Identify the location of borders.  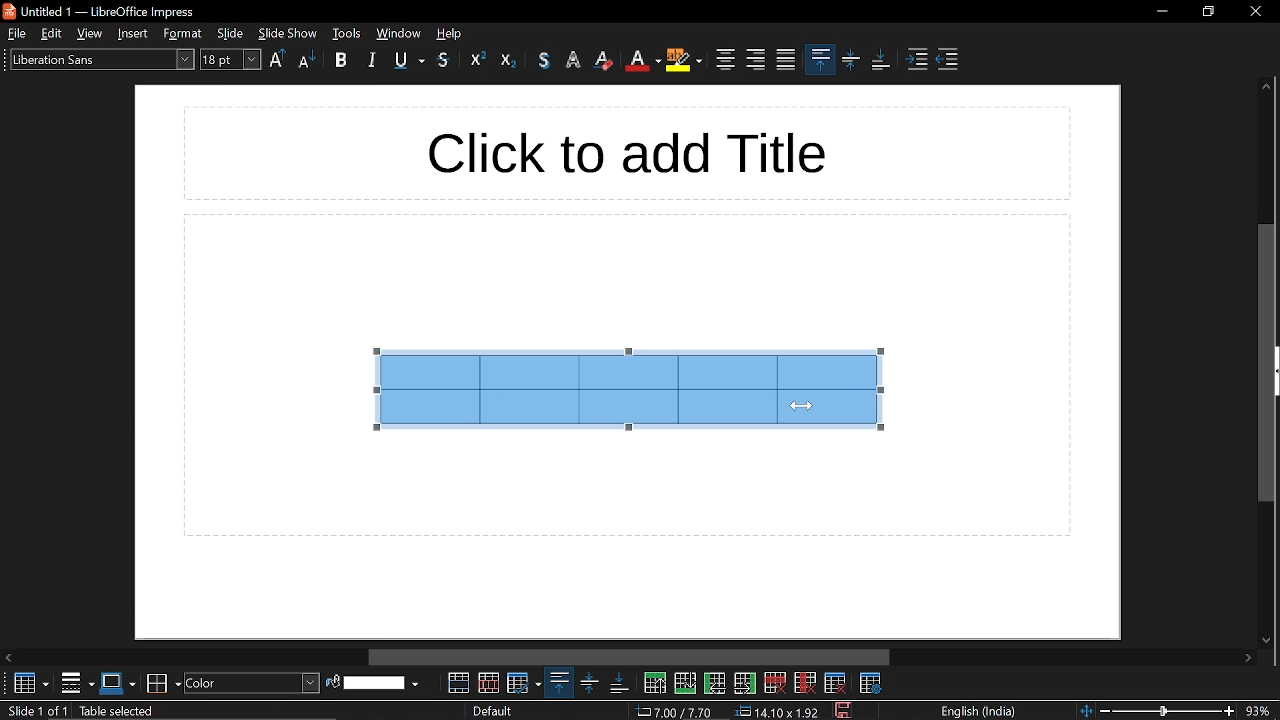
(78, 683).